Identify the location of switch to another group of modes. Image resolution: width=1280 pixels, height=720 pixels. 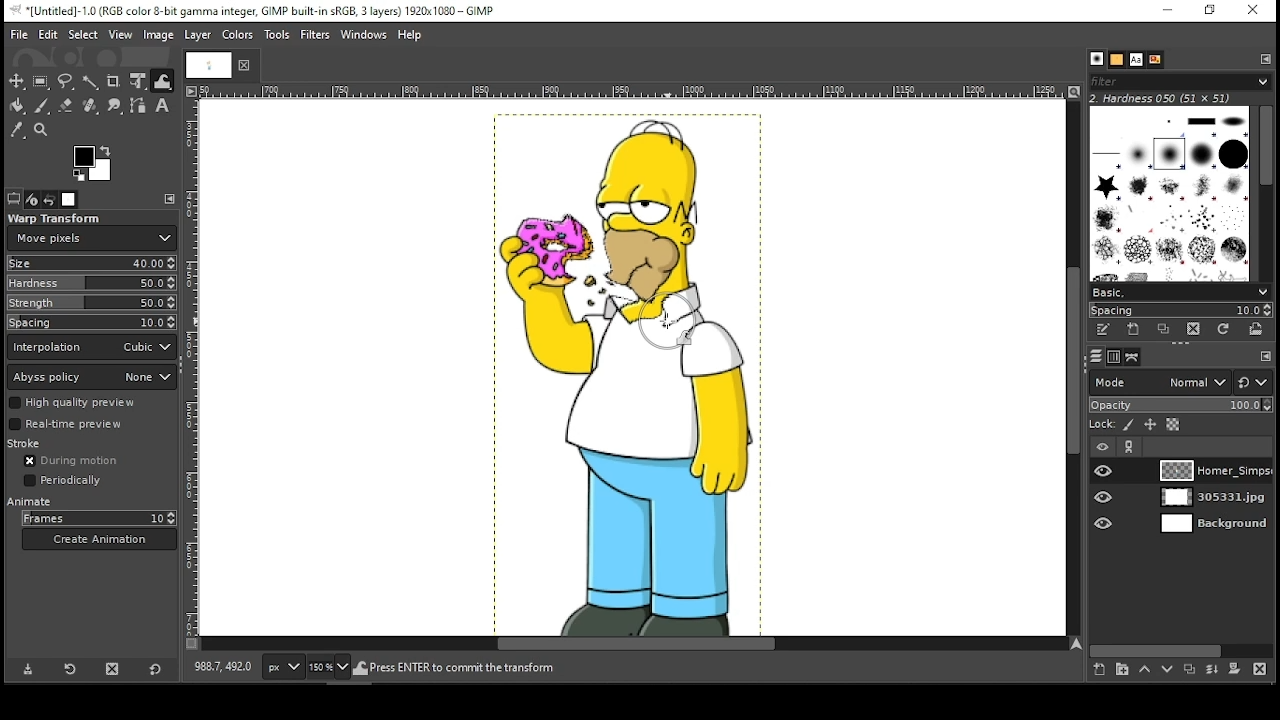
(1252, 382).